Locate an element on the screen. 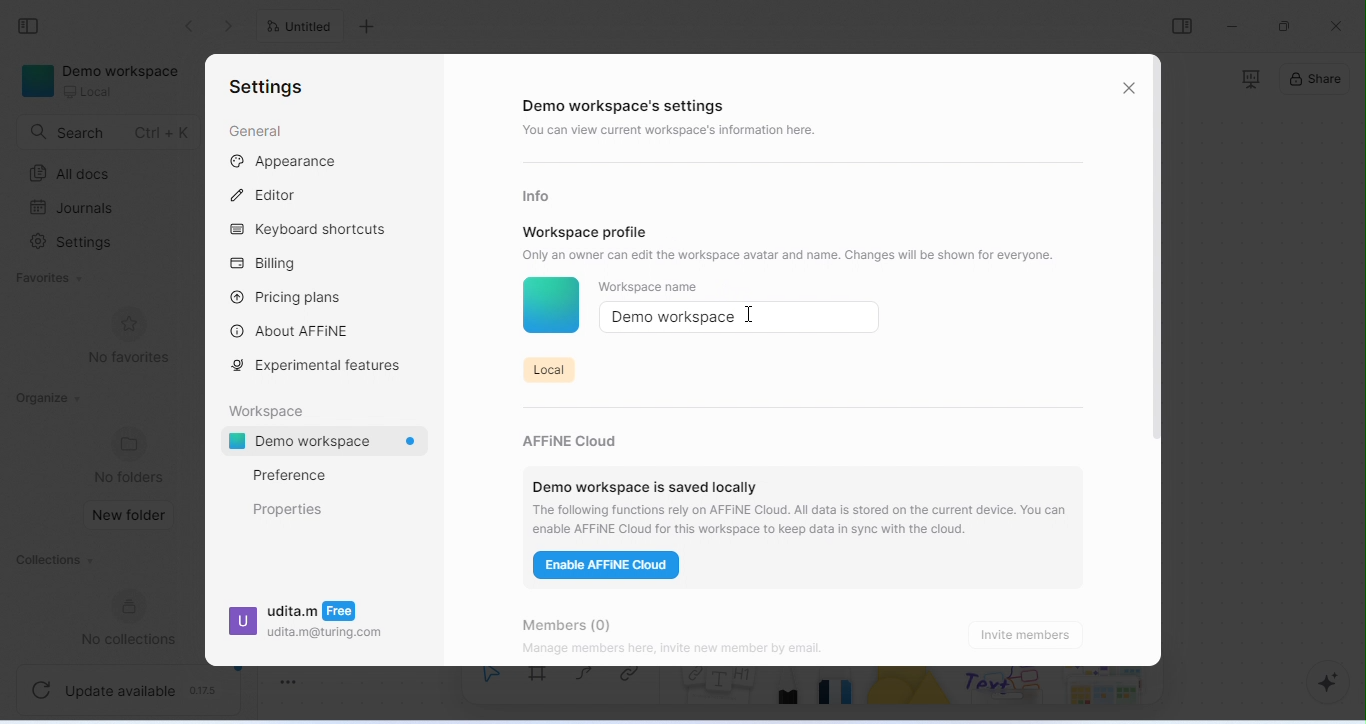  ‘The following functions rely on AFFINE Cloud. All data is stored on the current device. You can enable AFFINE Cloud for this workspace to keep data in sync with the cloud. is located at coordinates (804, 519).